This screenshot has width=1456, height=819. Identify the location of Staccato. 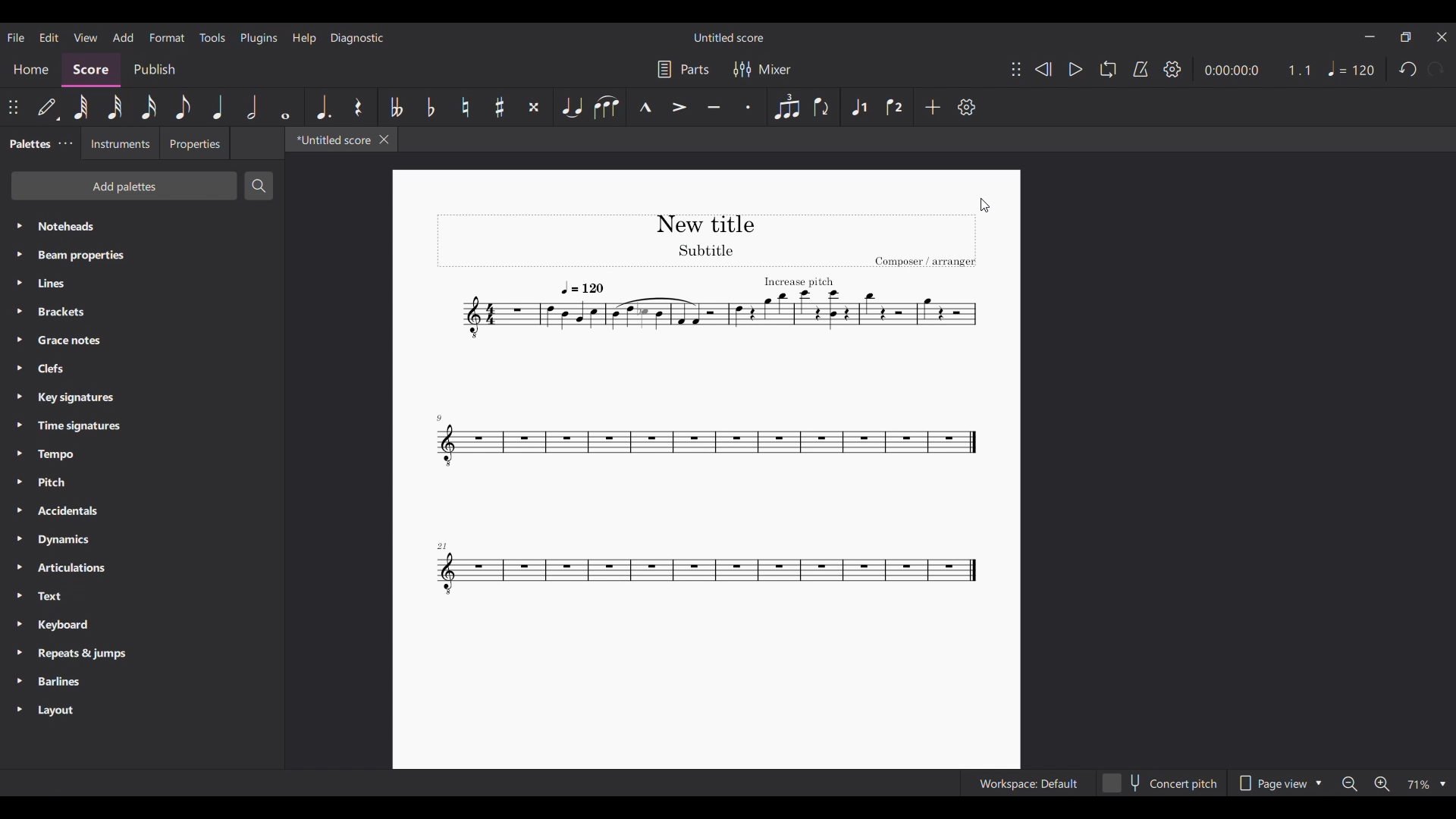
(748, 107).